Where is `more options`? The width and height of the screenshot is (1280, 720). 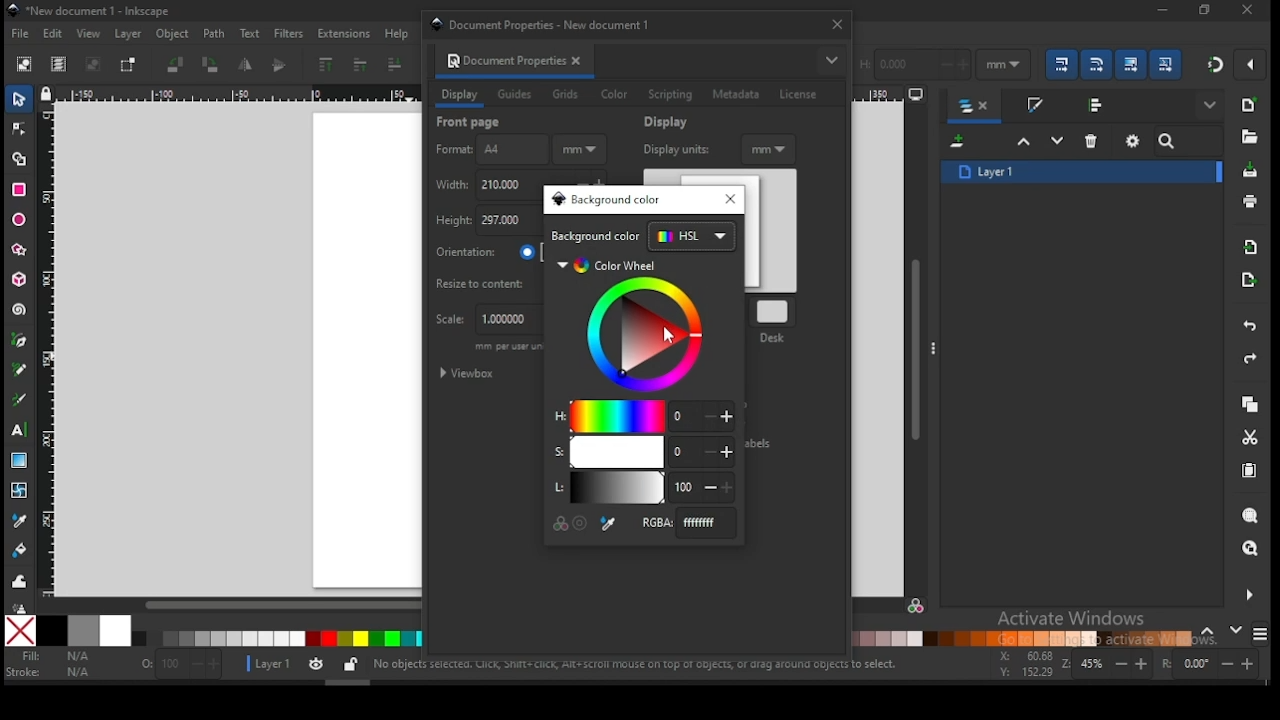
more options is located at coordinates (831, 60).